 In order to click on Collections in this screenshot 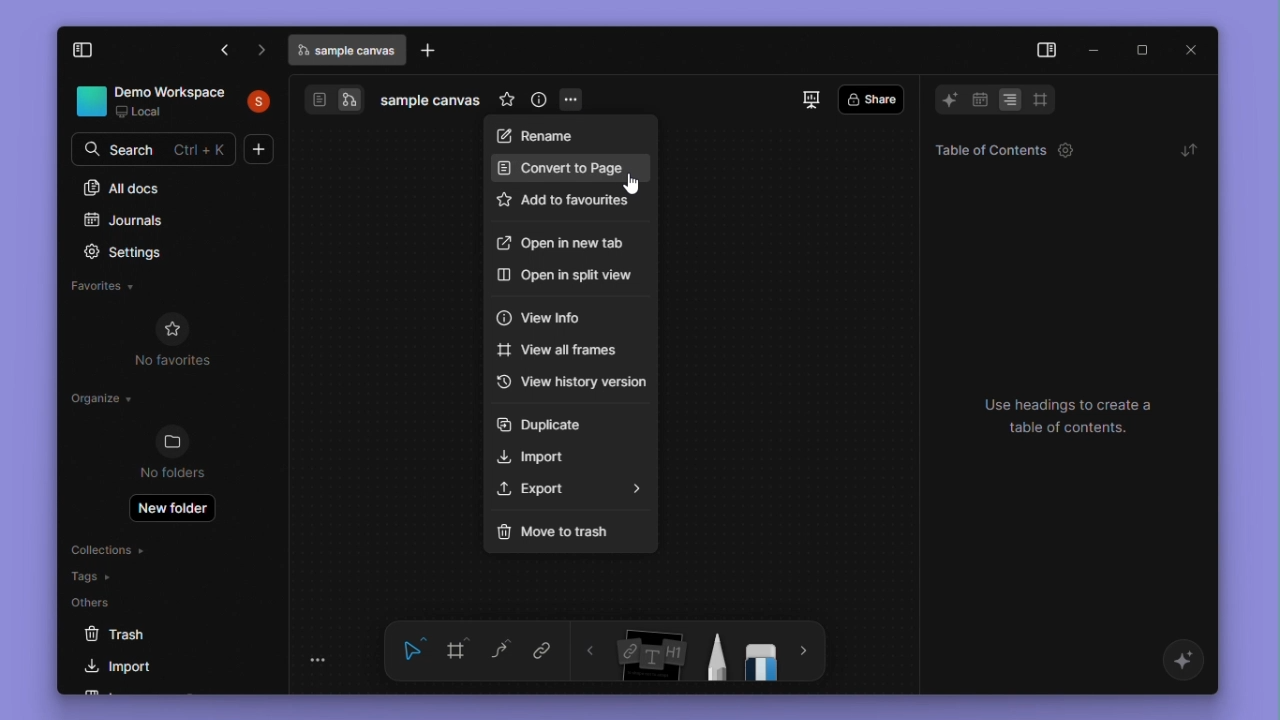, I will do `click(107, 548)`.